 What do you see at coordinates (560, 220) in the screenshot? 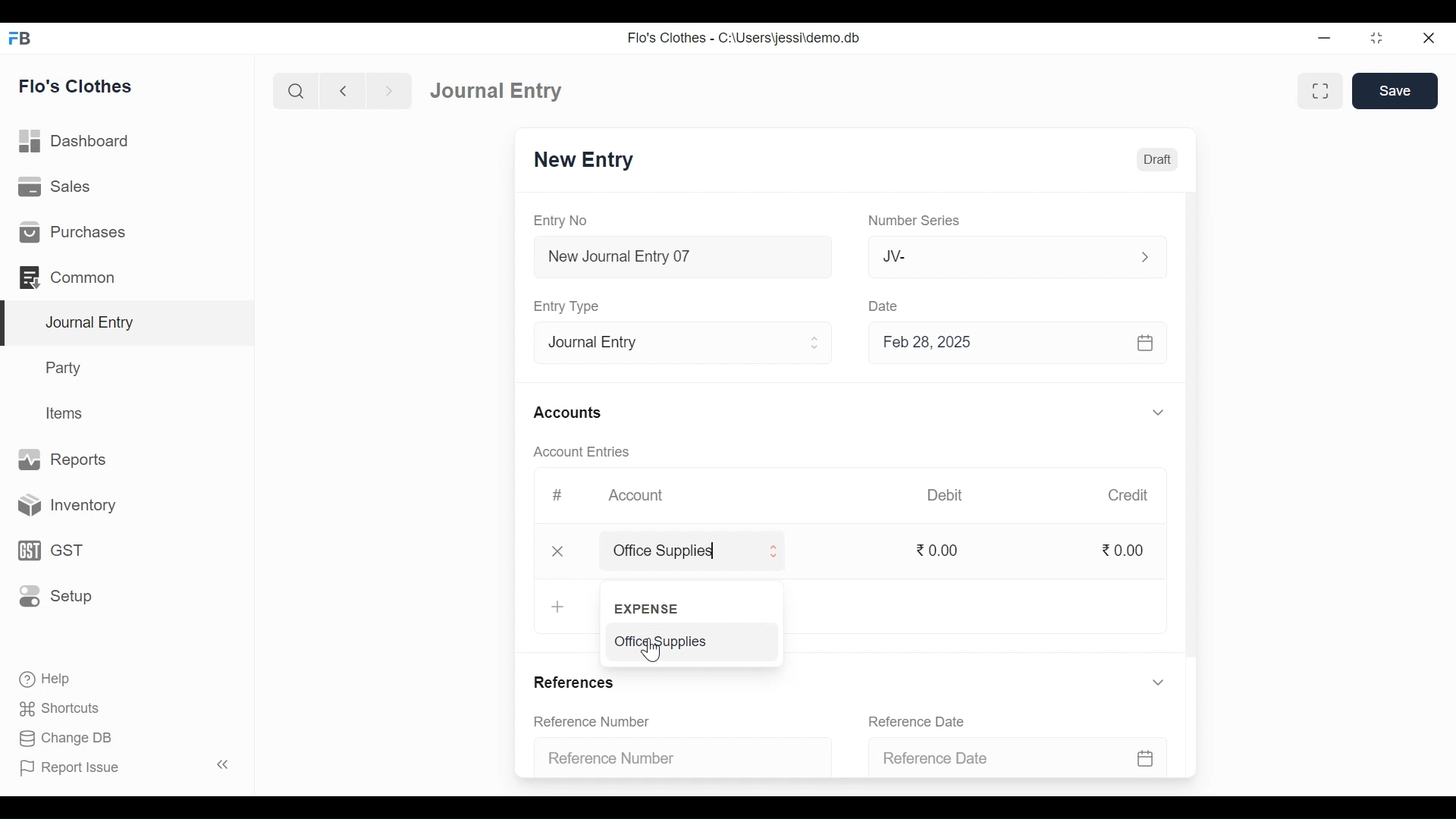
I see `Entry No` at bounding box center [560, 220].